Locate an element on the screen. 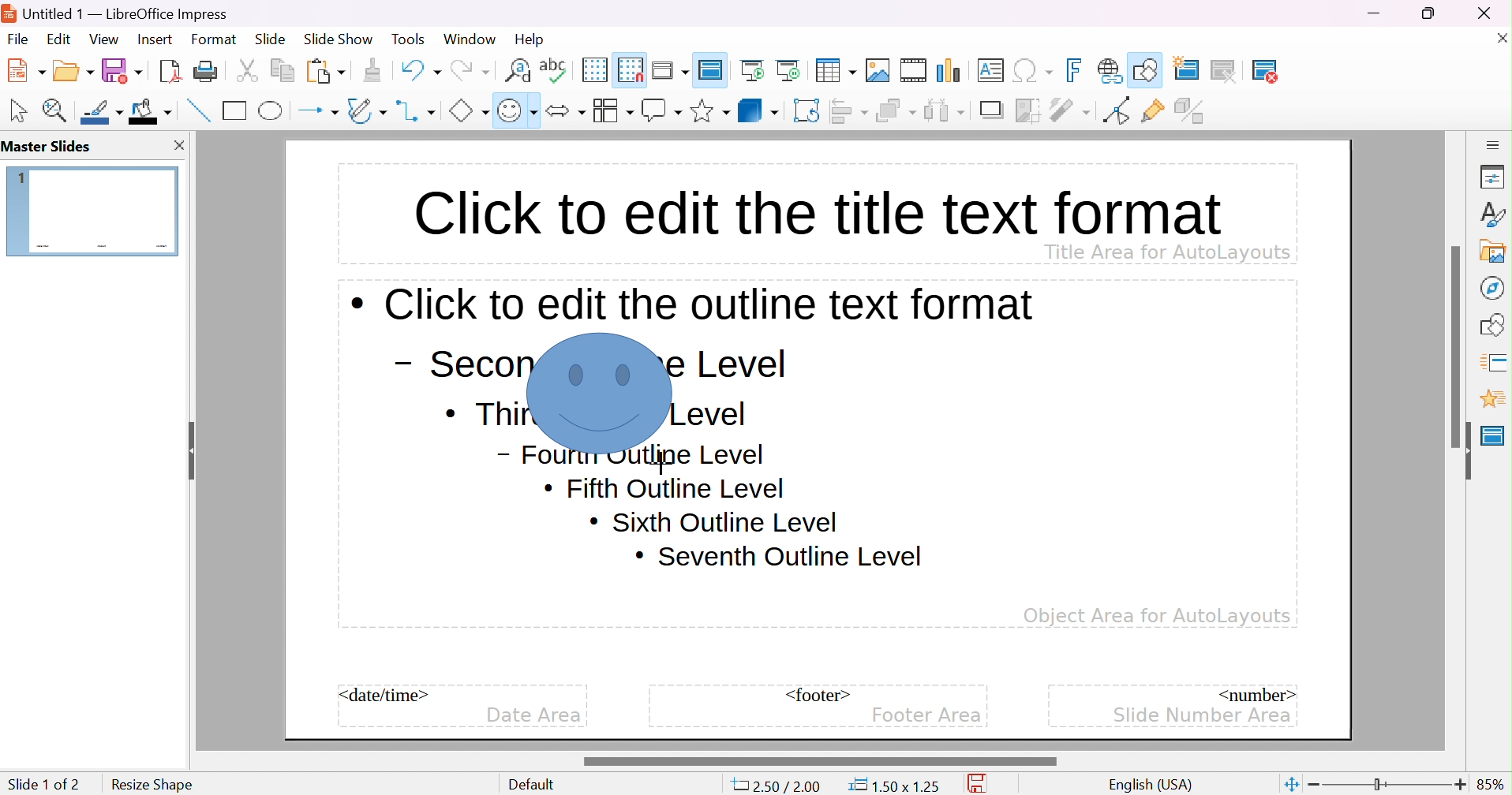 The height and width of the screenshot is (795, 1512). cut is located at coordinates (247, 70).